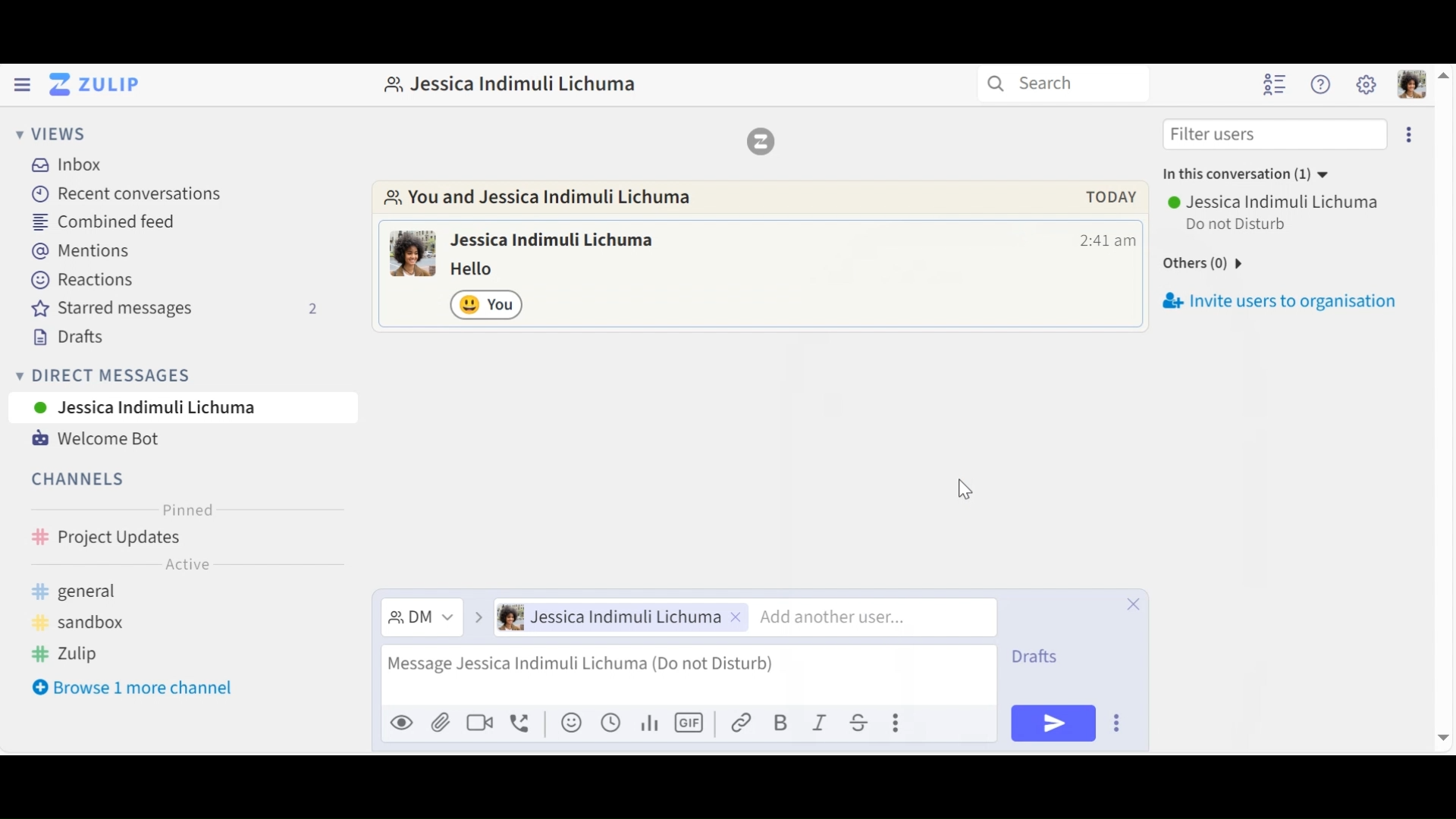 The width and height of the screenshot is (1456, 819). I want to click on Italics, so click(821, 721).